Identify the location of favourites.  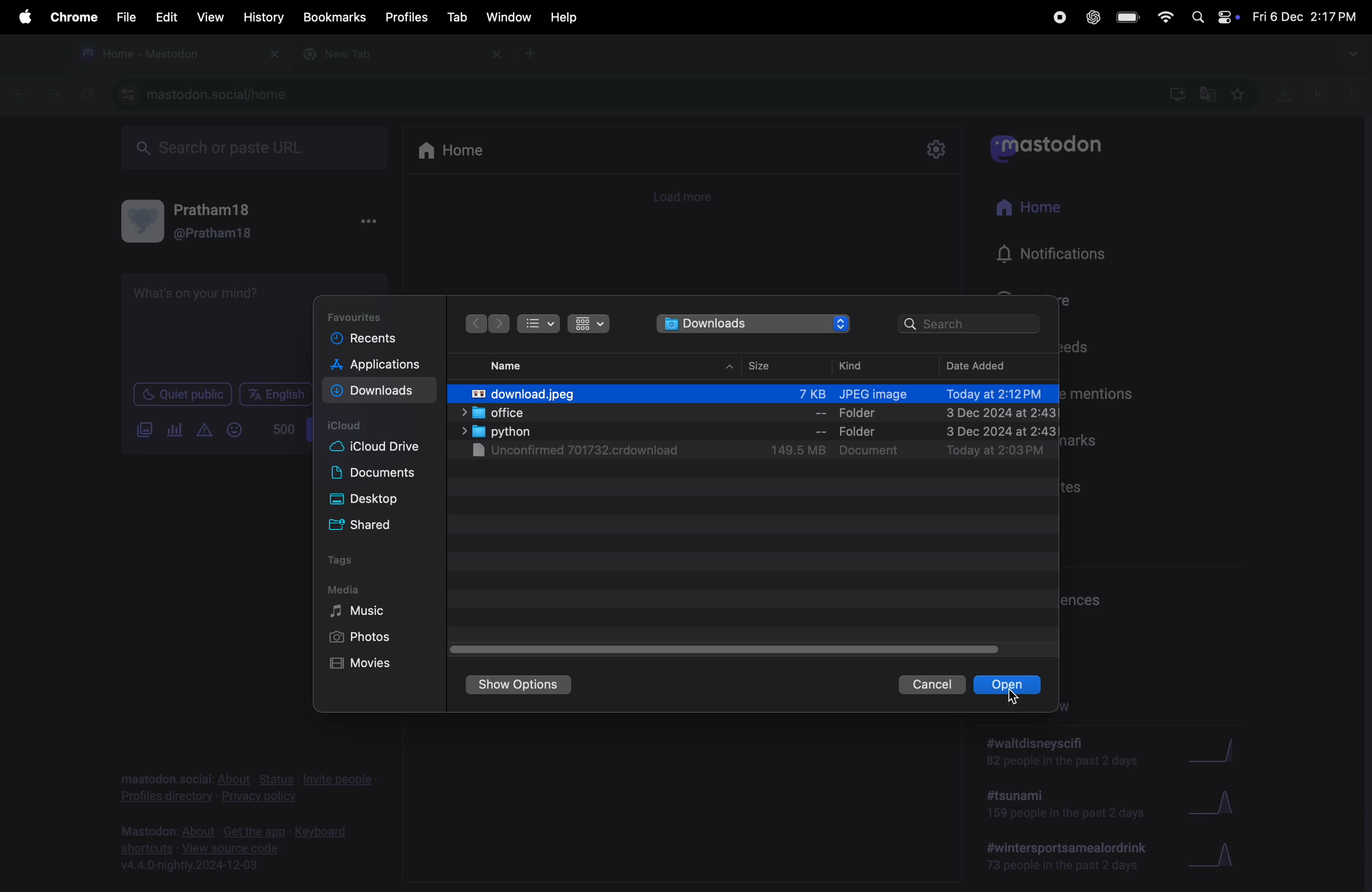
(1241, 93).